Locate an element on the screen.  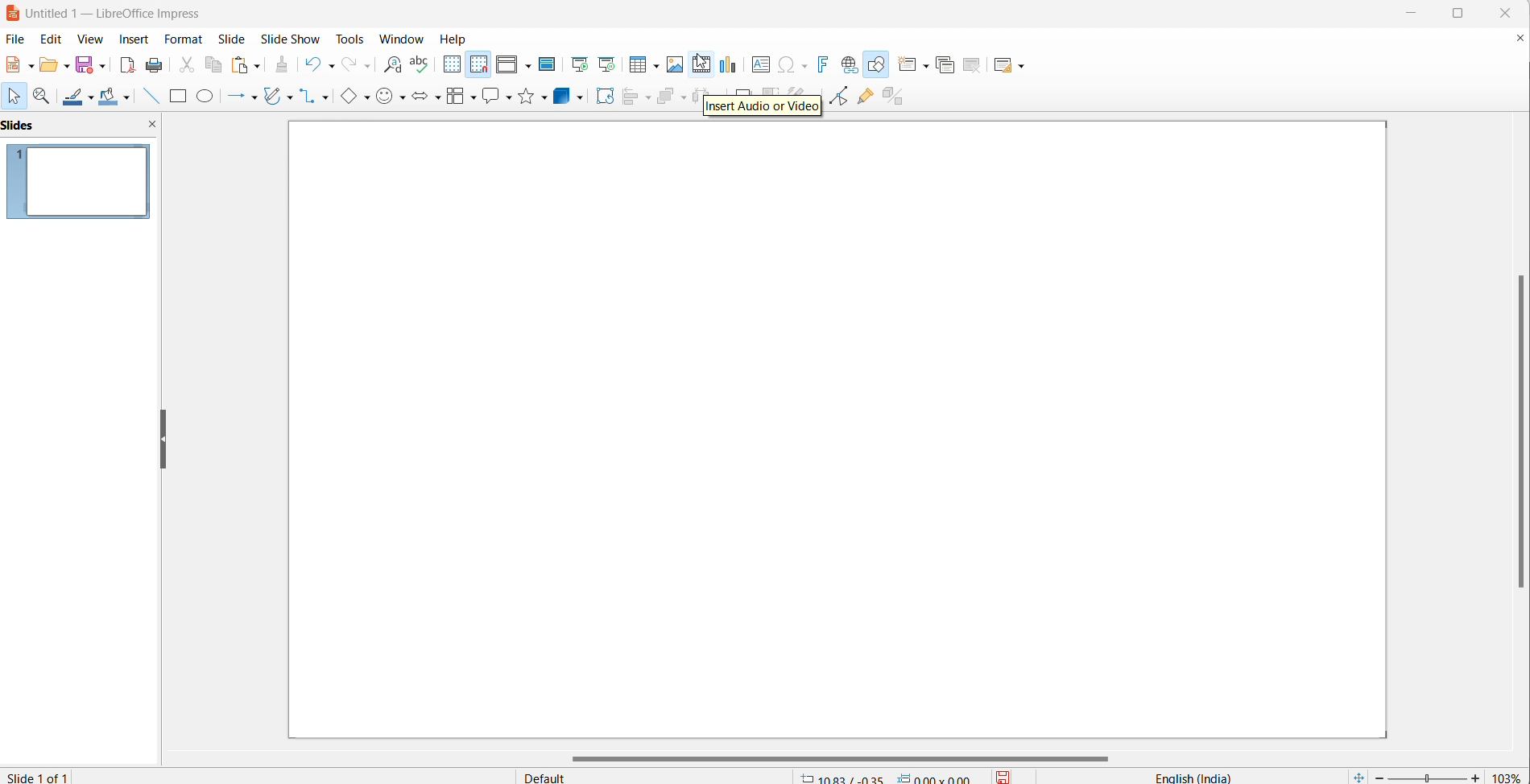
save options is located at coordinates (100, 68).